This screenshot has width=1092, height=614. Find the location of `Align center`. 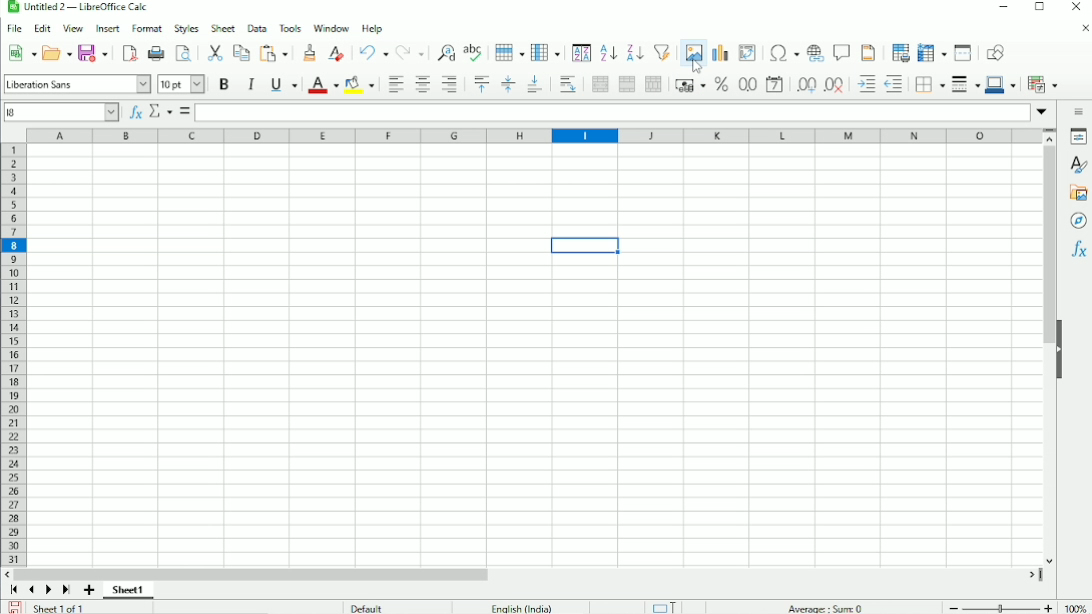

Align center is located at coordinates (421, 85).